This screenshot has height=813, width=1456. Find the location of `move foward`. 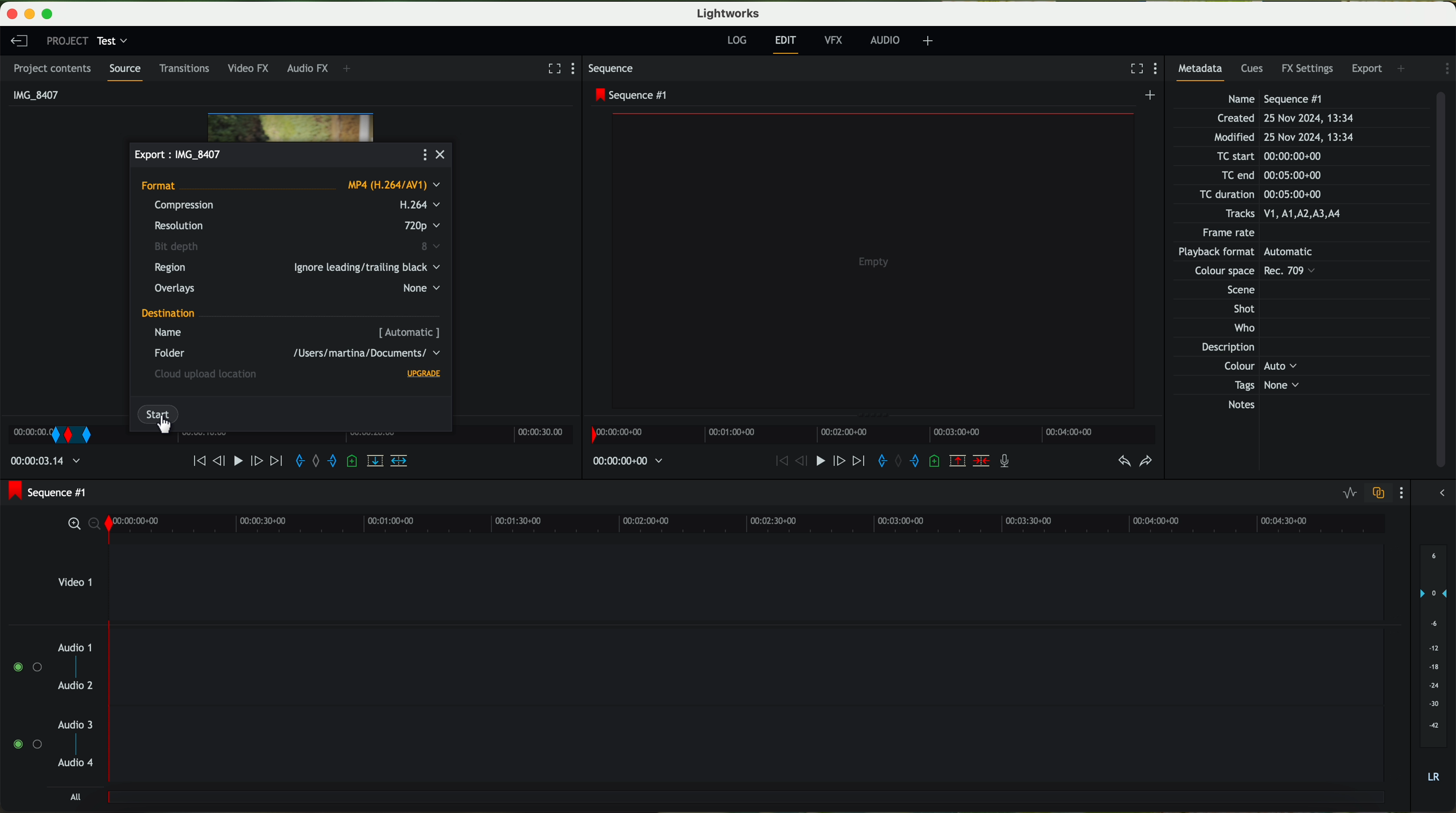

move foward is located at coordinates (276, 461).